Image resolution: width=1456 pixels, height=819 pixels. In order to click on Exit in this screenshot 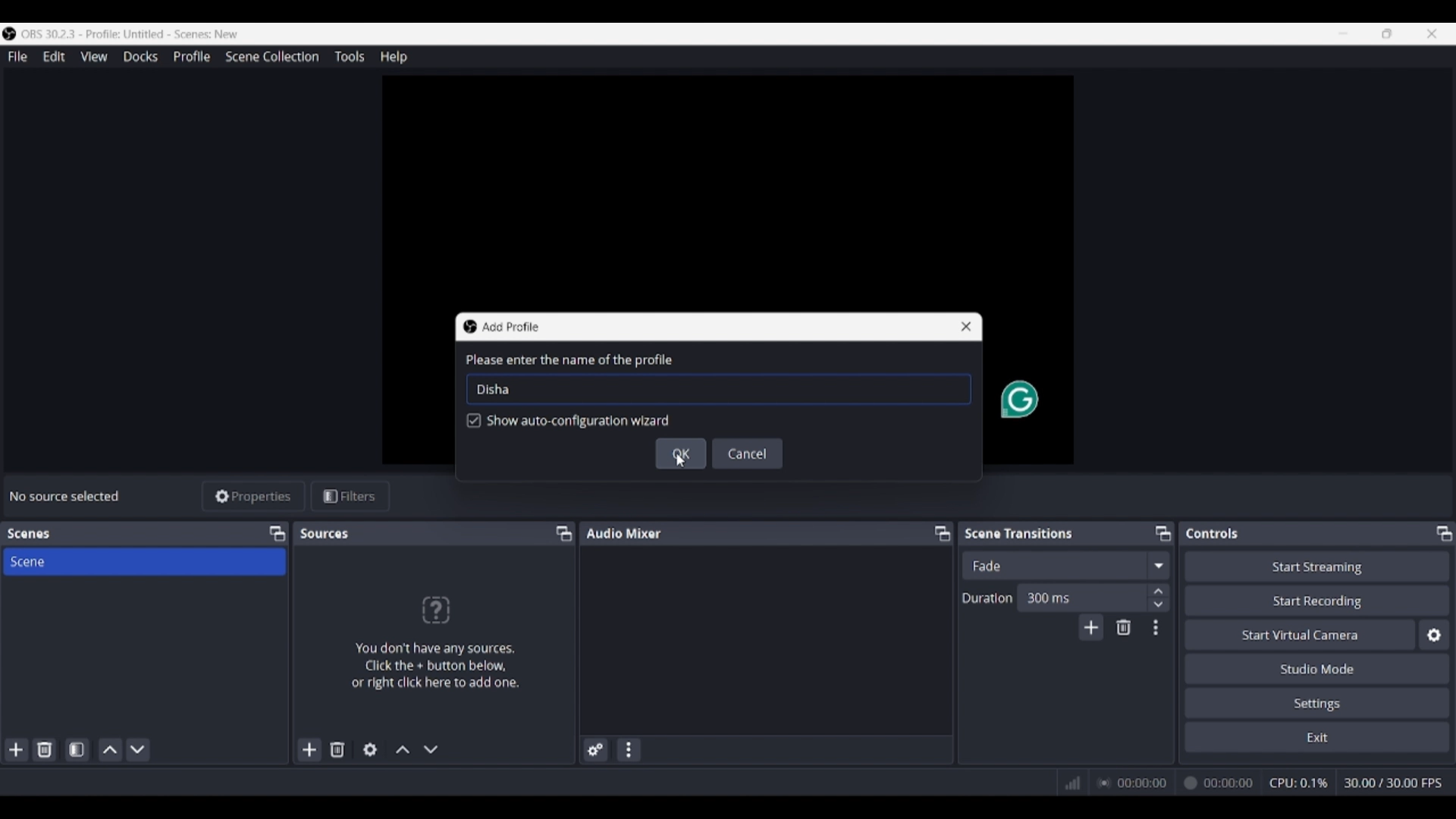, I will do `click(1317, 736)`.